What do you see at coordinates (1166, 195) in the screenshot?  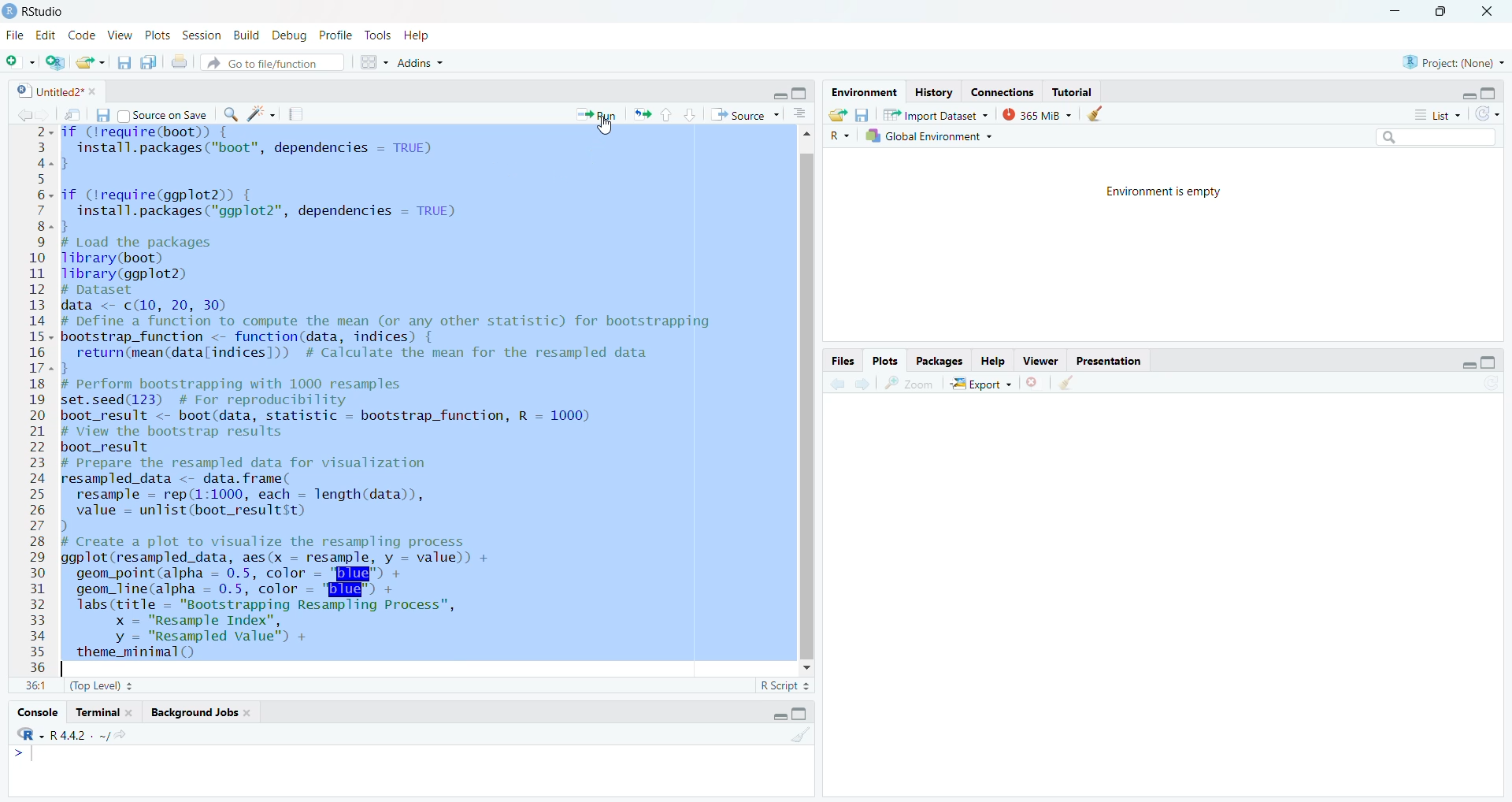 I see `Environment is empty` at bounding box center [1166, 195].